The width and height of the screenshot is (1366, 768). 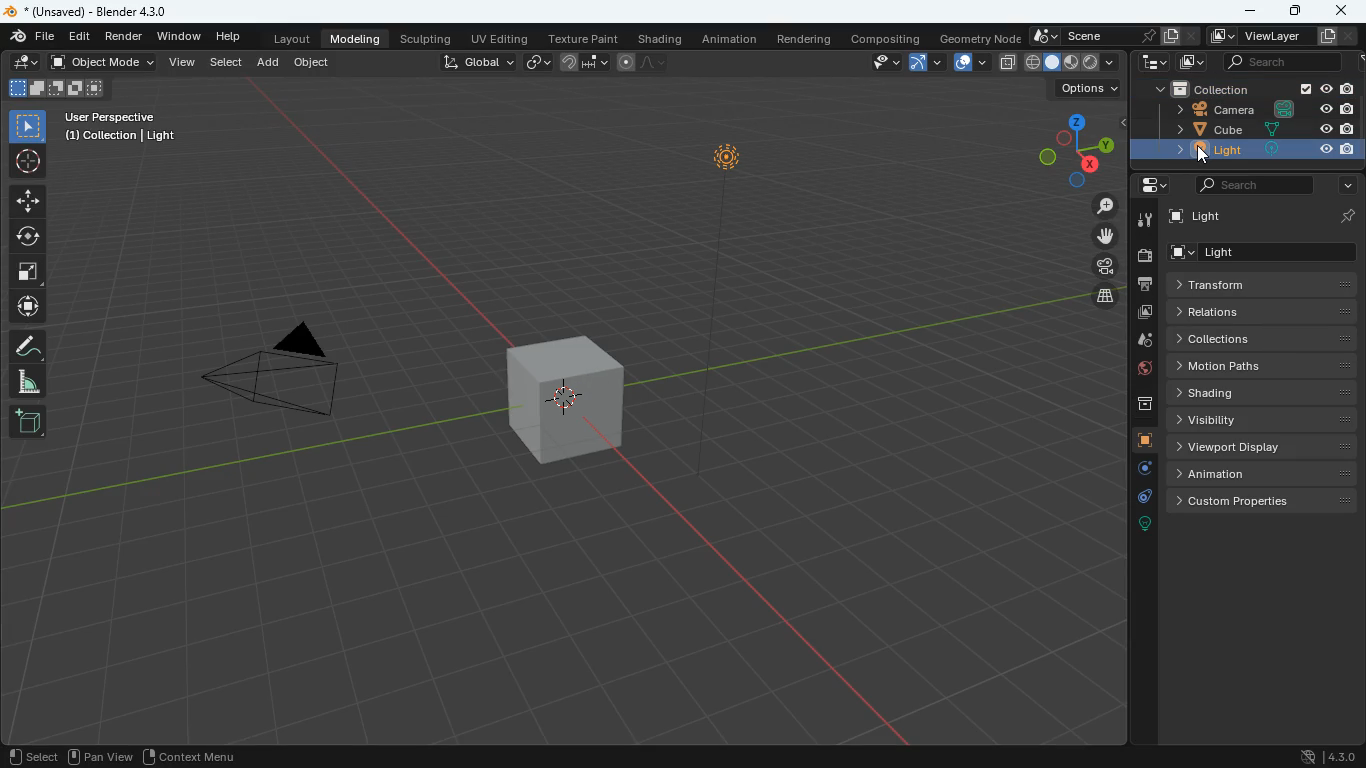 What do you see at coordinates (227, 35) in the screenshot?
I see `help` at bounding box center [227, 35].